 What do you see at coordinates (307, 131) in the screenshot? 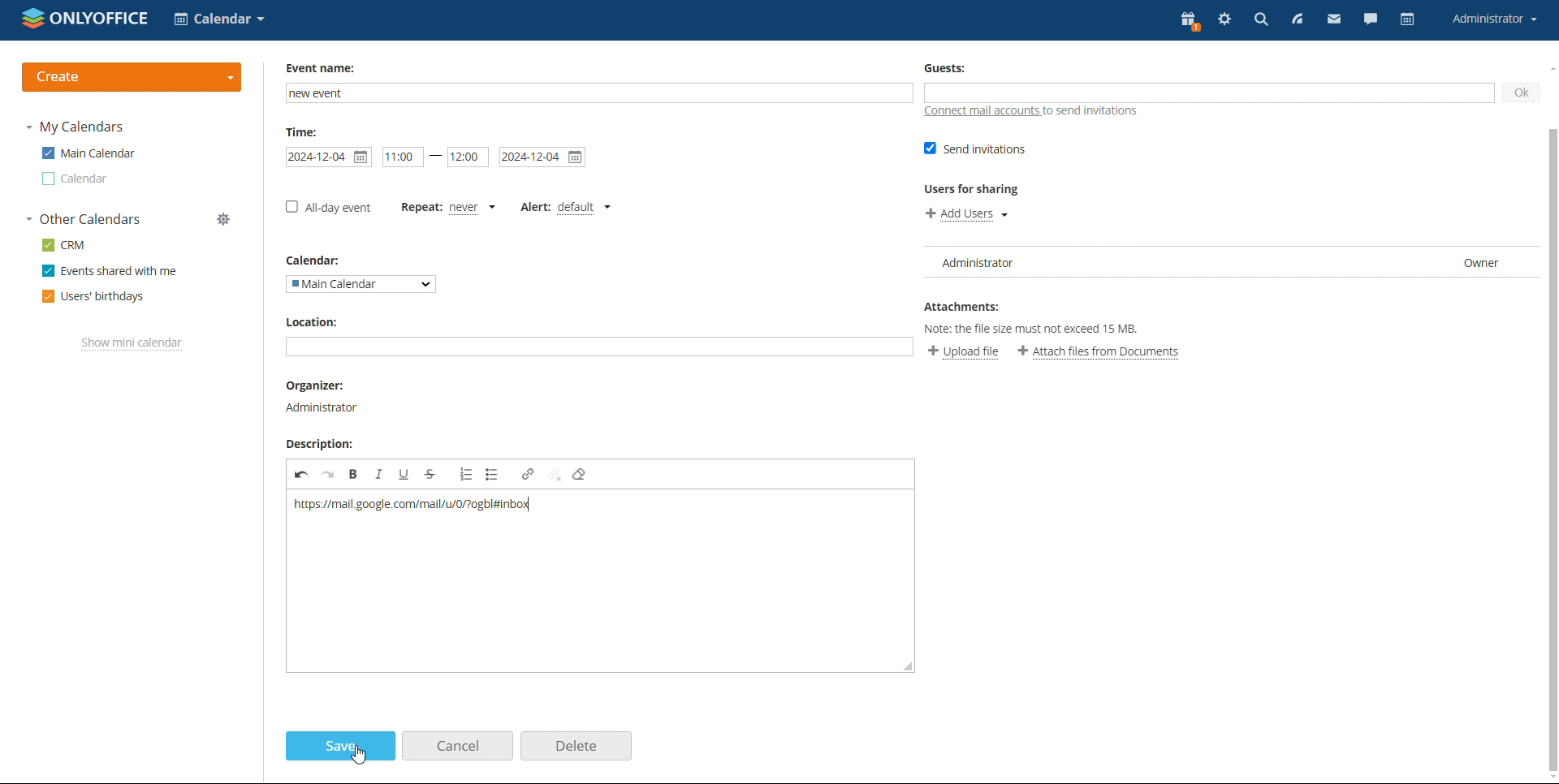
I see `Time:` at bounding box center [307, 131].